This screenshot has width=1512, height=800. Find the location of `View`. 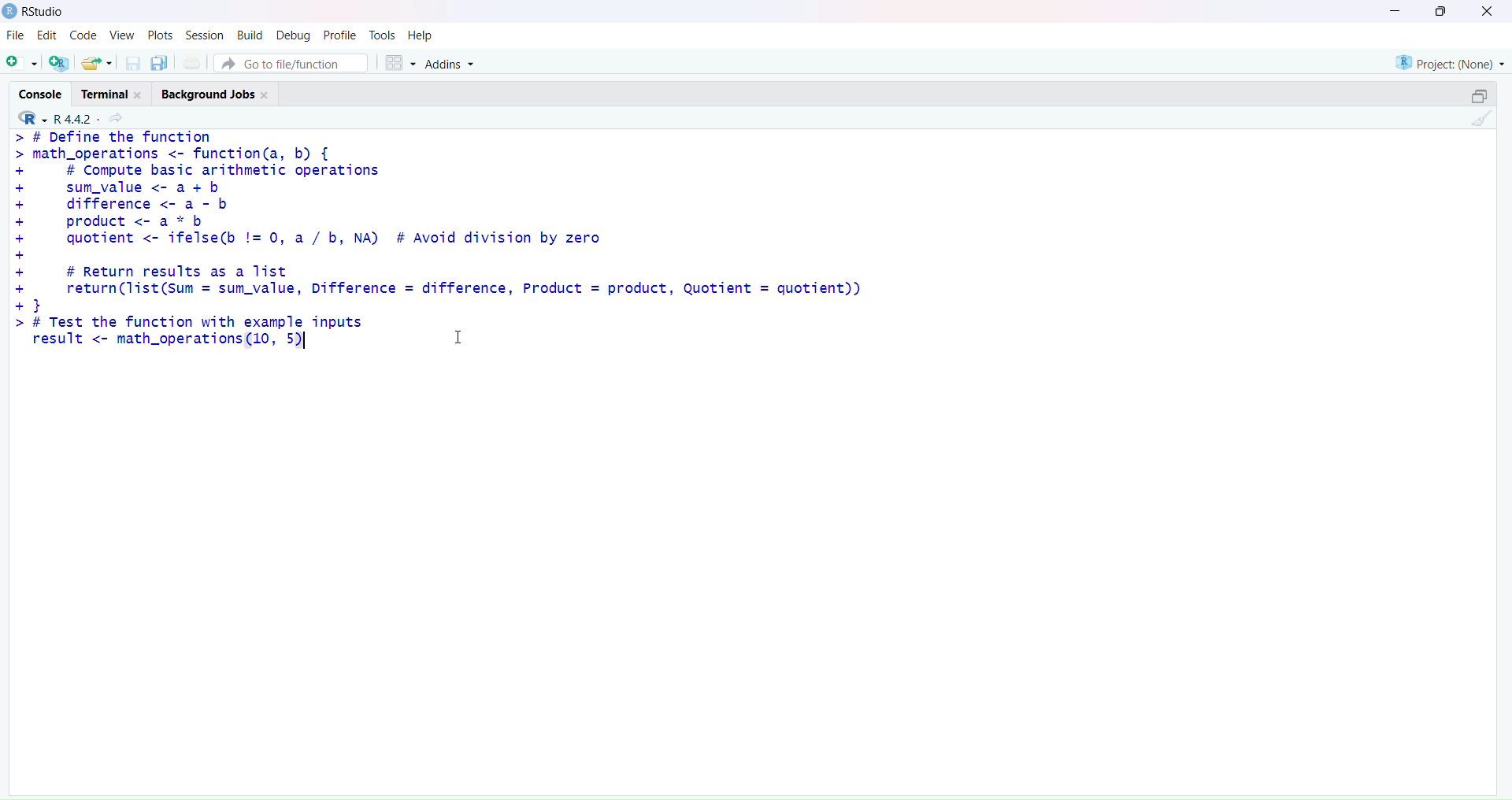

View is located at coordinates (122, 35).